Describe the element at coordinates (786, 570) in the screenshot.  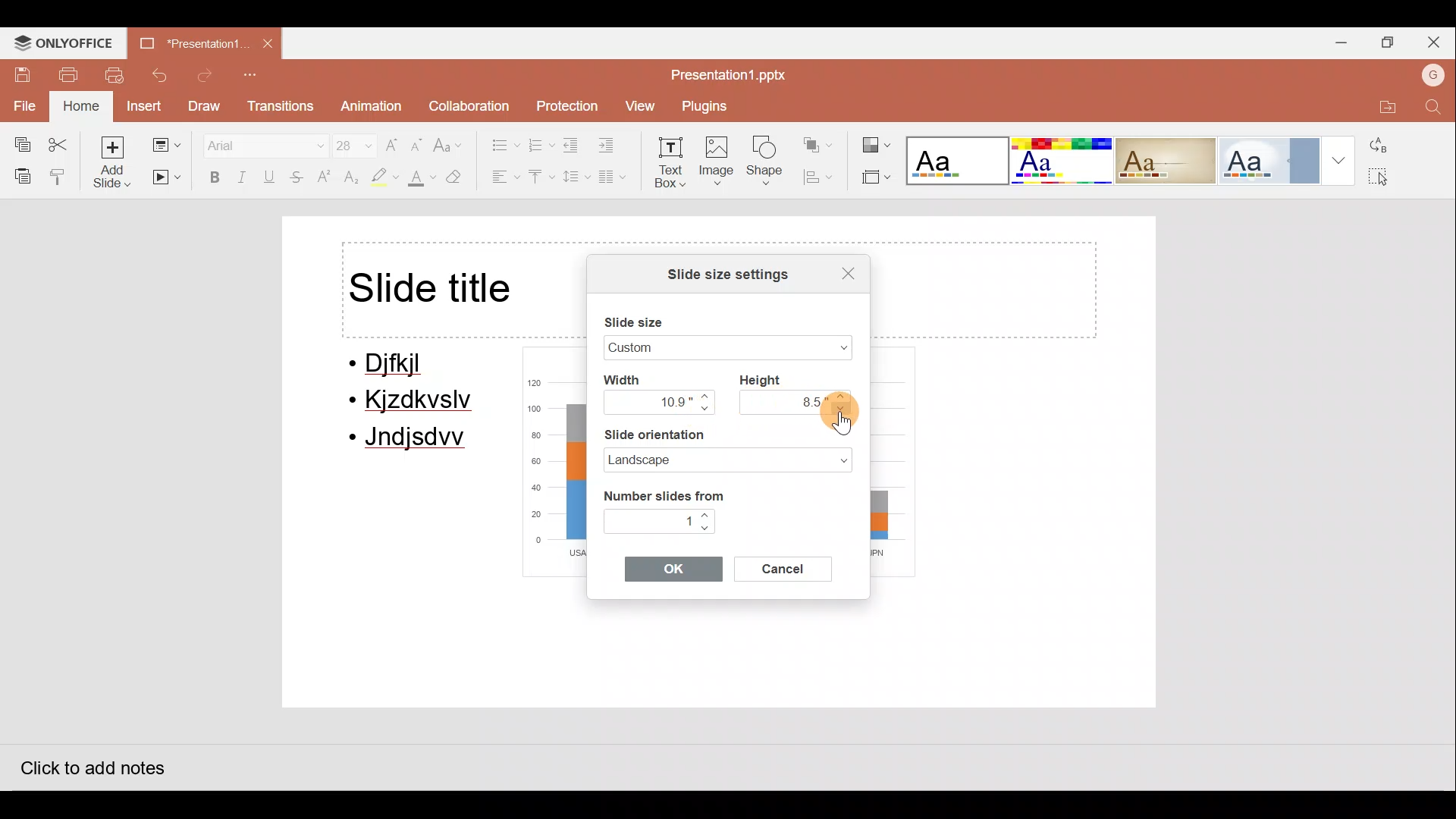
I see `Cancel` at that location.